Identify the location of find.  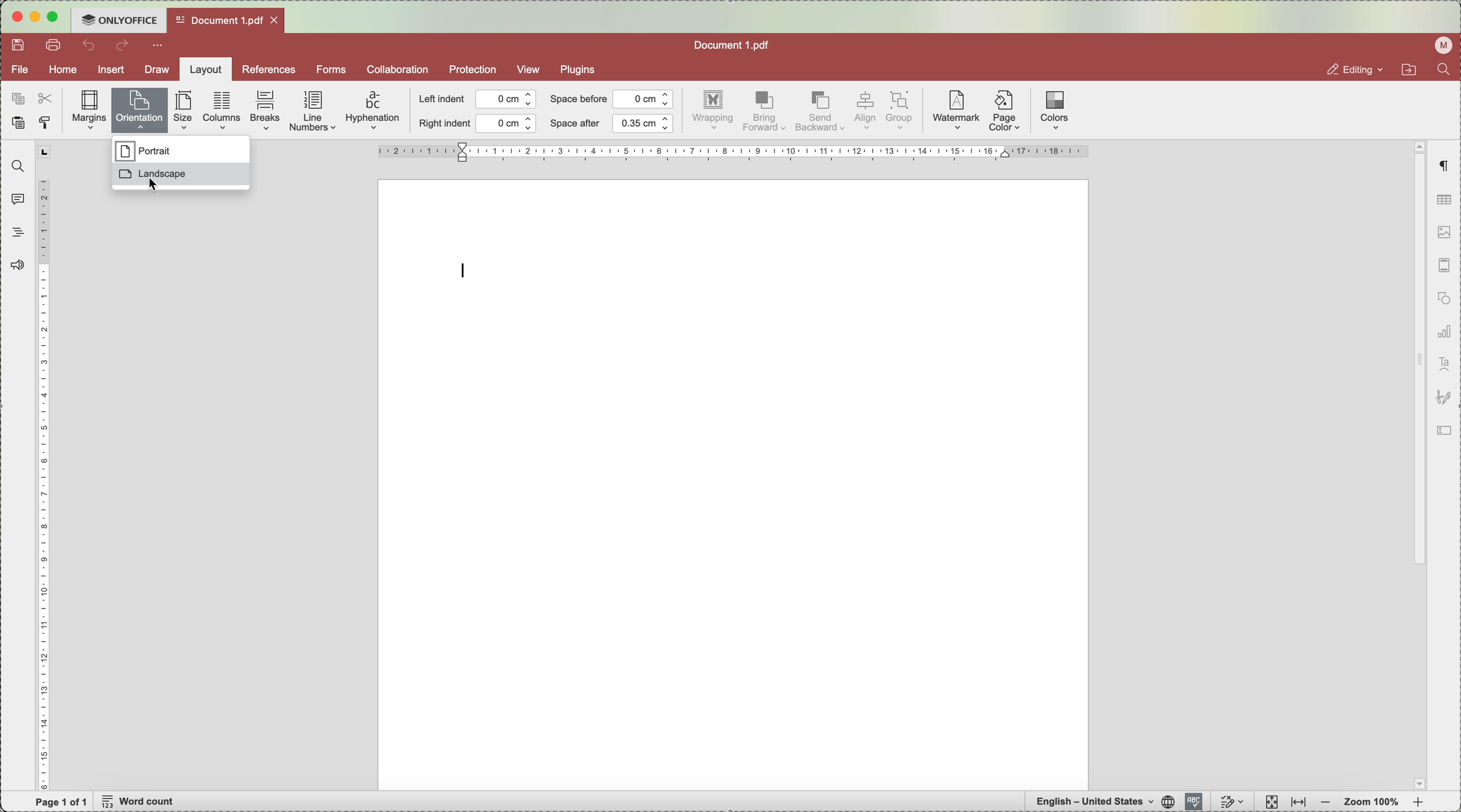
(1447, 72).